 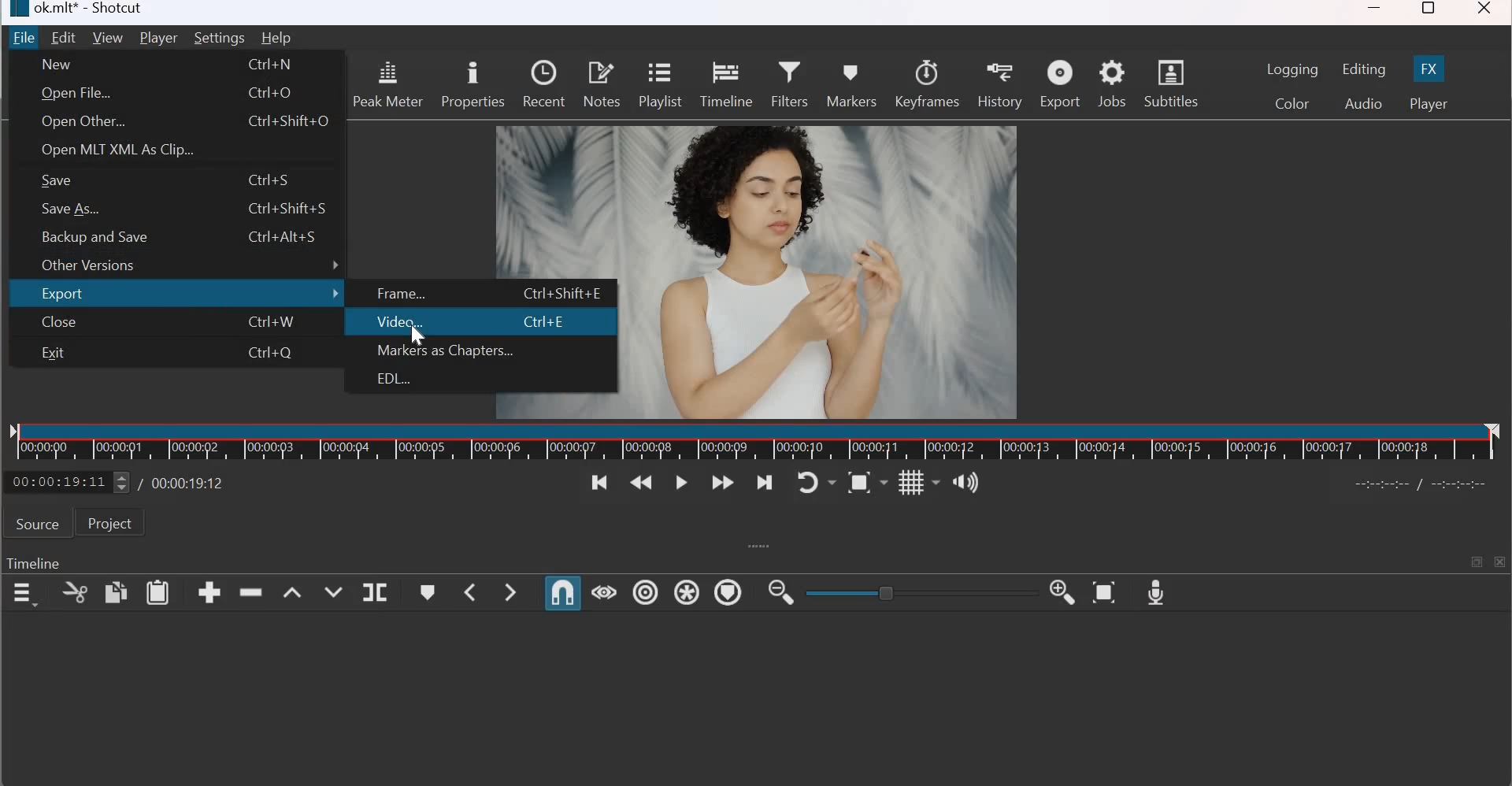 What do you see at coordinates (471, 592) in the screenshot?
I see `Previous Marker` at bounding box center [471, 592].